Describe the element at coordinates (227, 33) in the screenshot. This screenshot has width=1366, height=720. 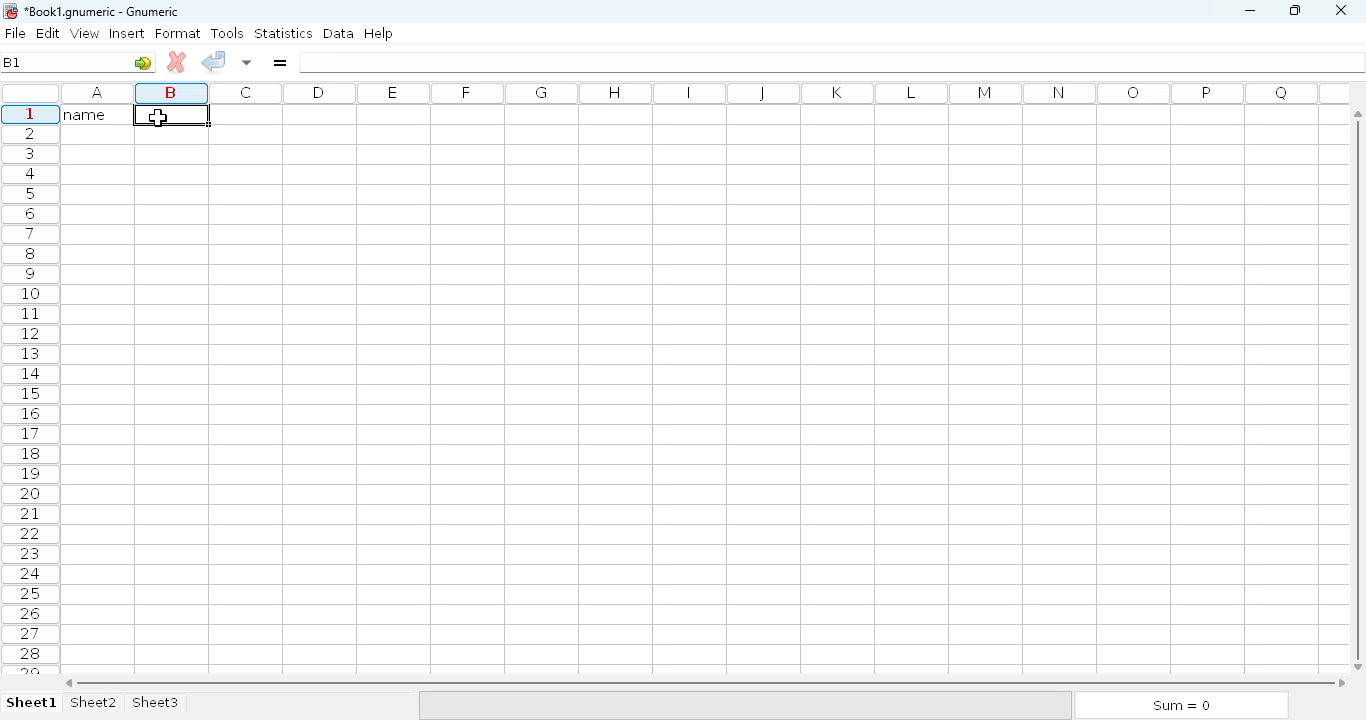
I see `tools` at that location.